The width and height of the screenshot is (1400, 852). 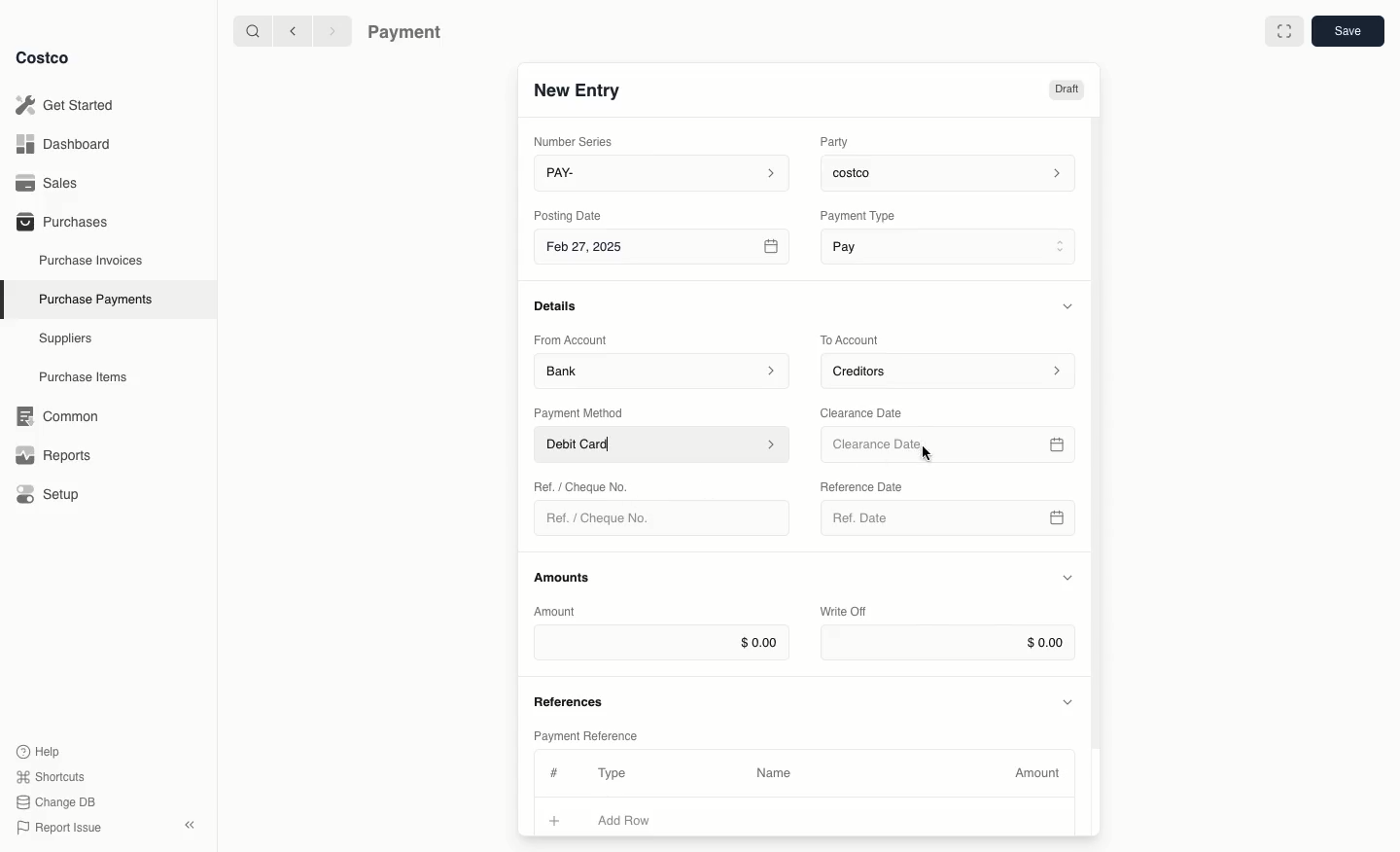 What do you see at coordinates (926, 456) in the screenshot?
I see `cursor` at bounding box center [926, 456].